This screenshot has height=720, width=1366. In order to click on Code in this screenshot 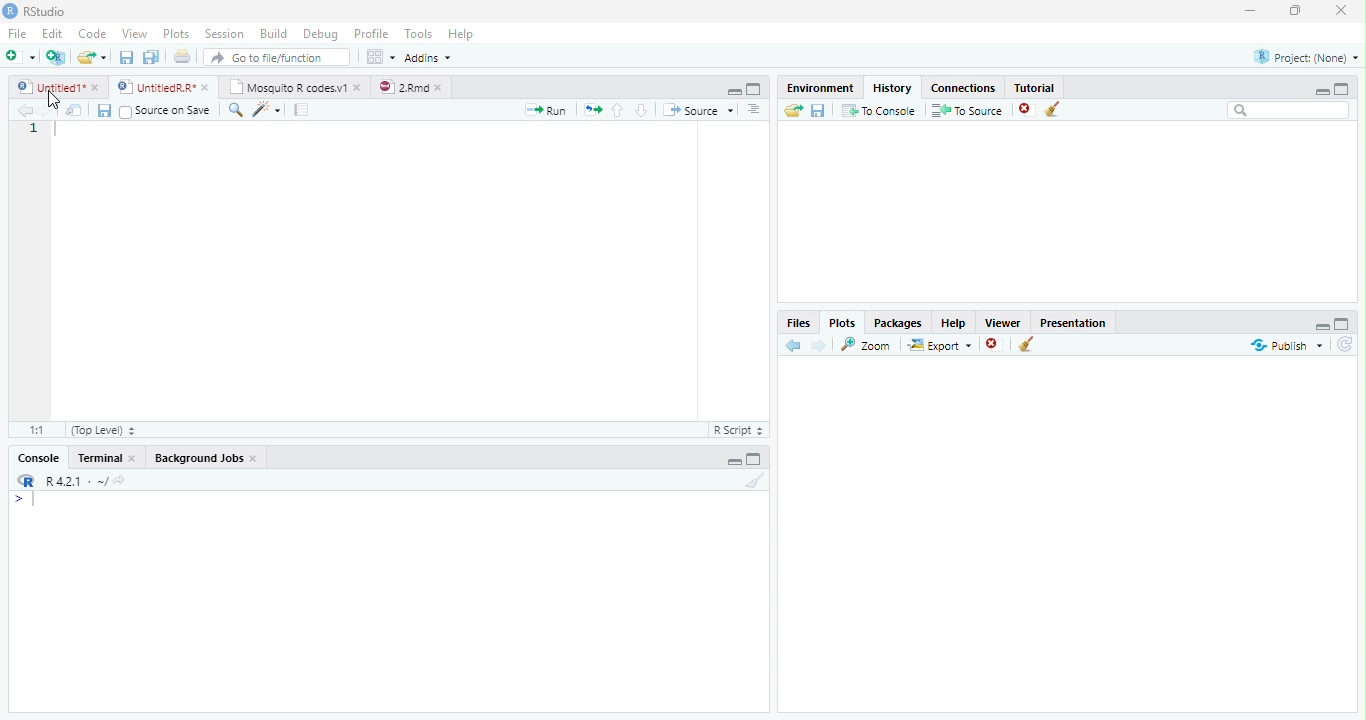, I will do `click(94, 31)`.